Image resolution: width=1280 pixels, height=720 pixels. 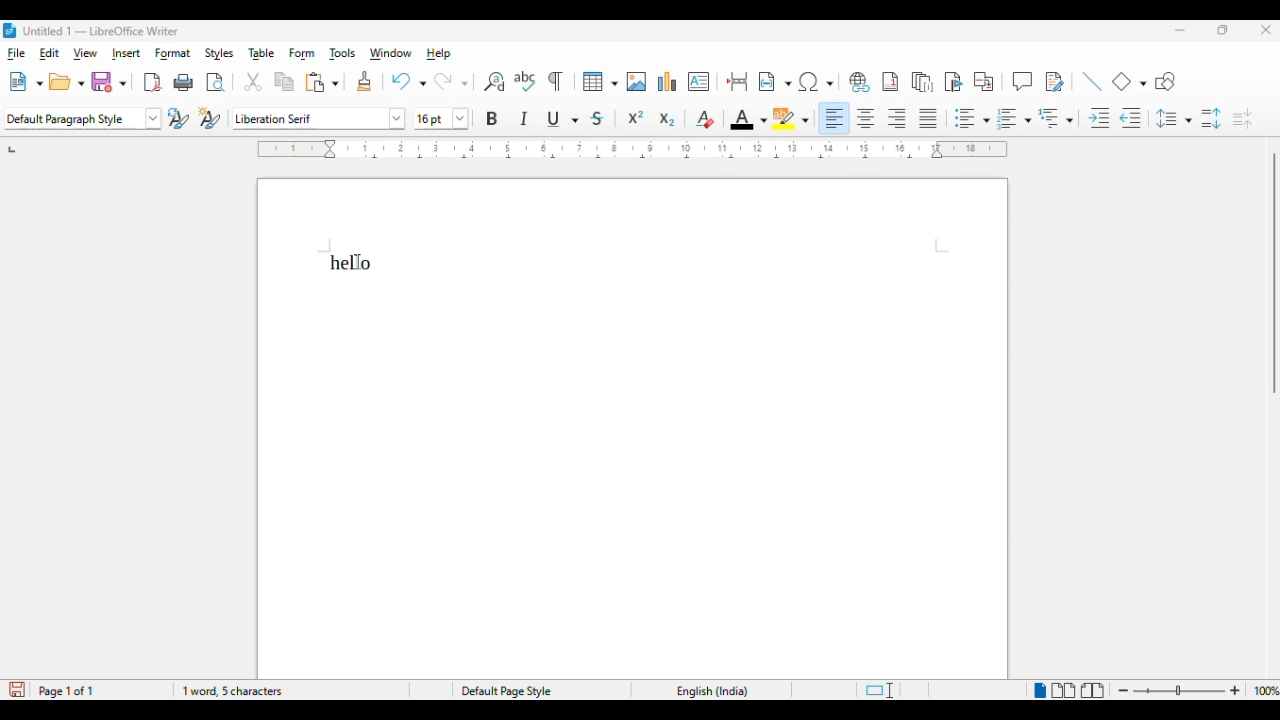 What do you see at coordinates (172, 54) in the screenshot?
I see `format` at bounding box center [172, 54].